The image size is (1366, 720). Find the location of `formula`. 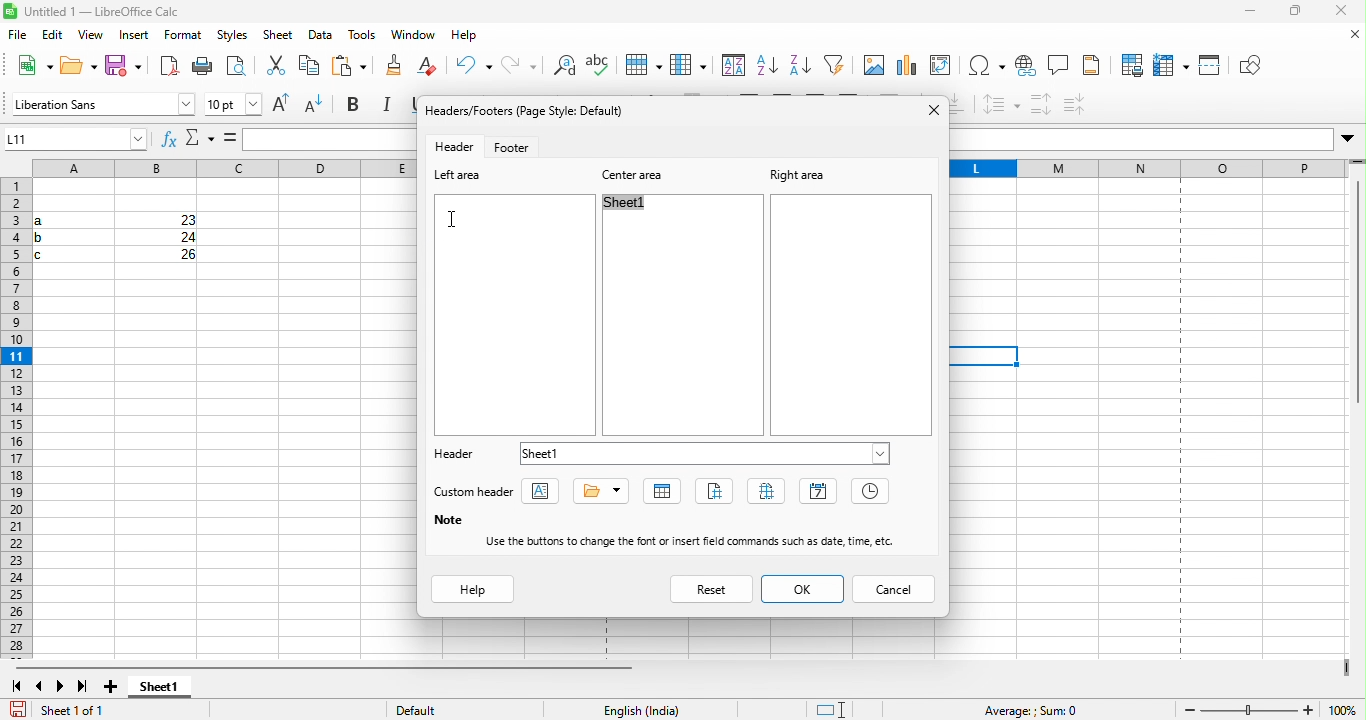

formula is located at coordinates (233, 139).